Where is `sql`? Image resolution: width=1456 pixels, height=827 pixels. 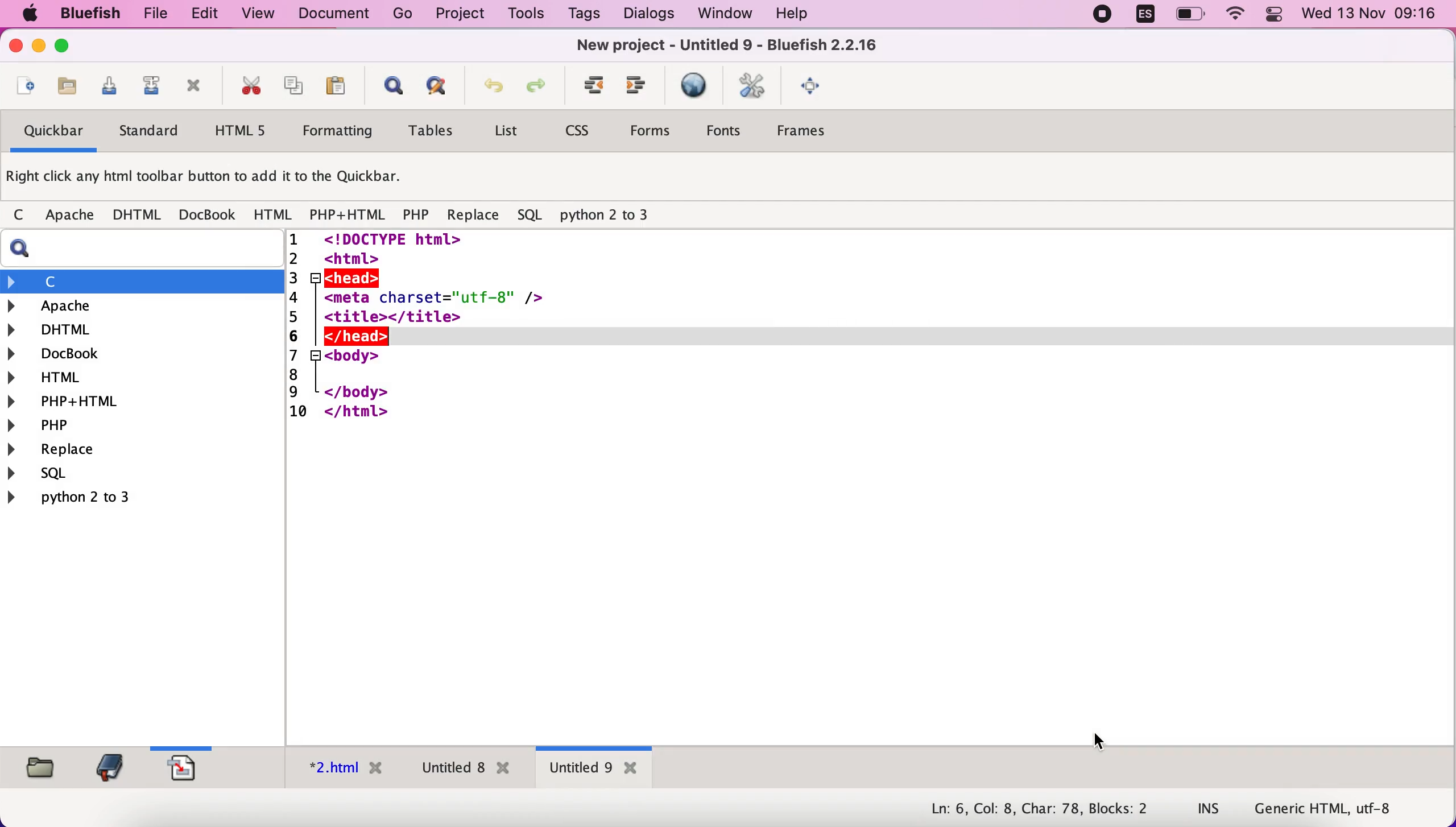
sql is located at coordinates (45, 475).